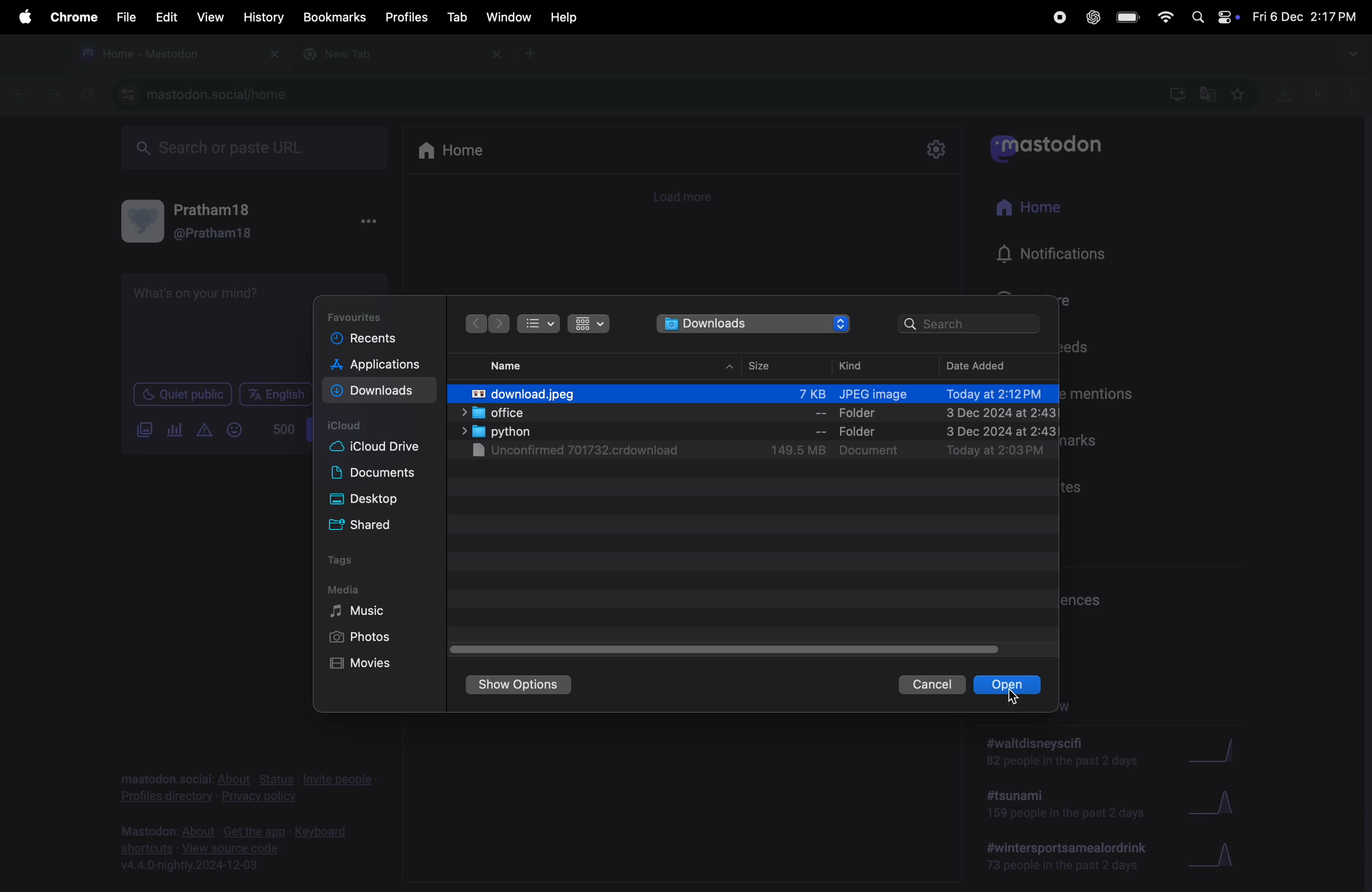 This screenshot has width=1372, height=892. What do you see at coordinates (175, 52) in the screenshot?
I see `msatdon tab` at bounding box center [175, 52].